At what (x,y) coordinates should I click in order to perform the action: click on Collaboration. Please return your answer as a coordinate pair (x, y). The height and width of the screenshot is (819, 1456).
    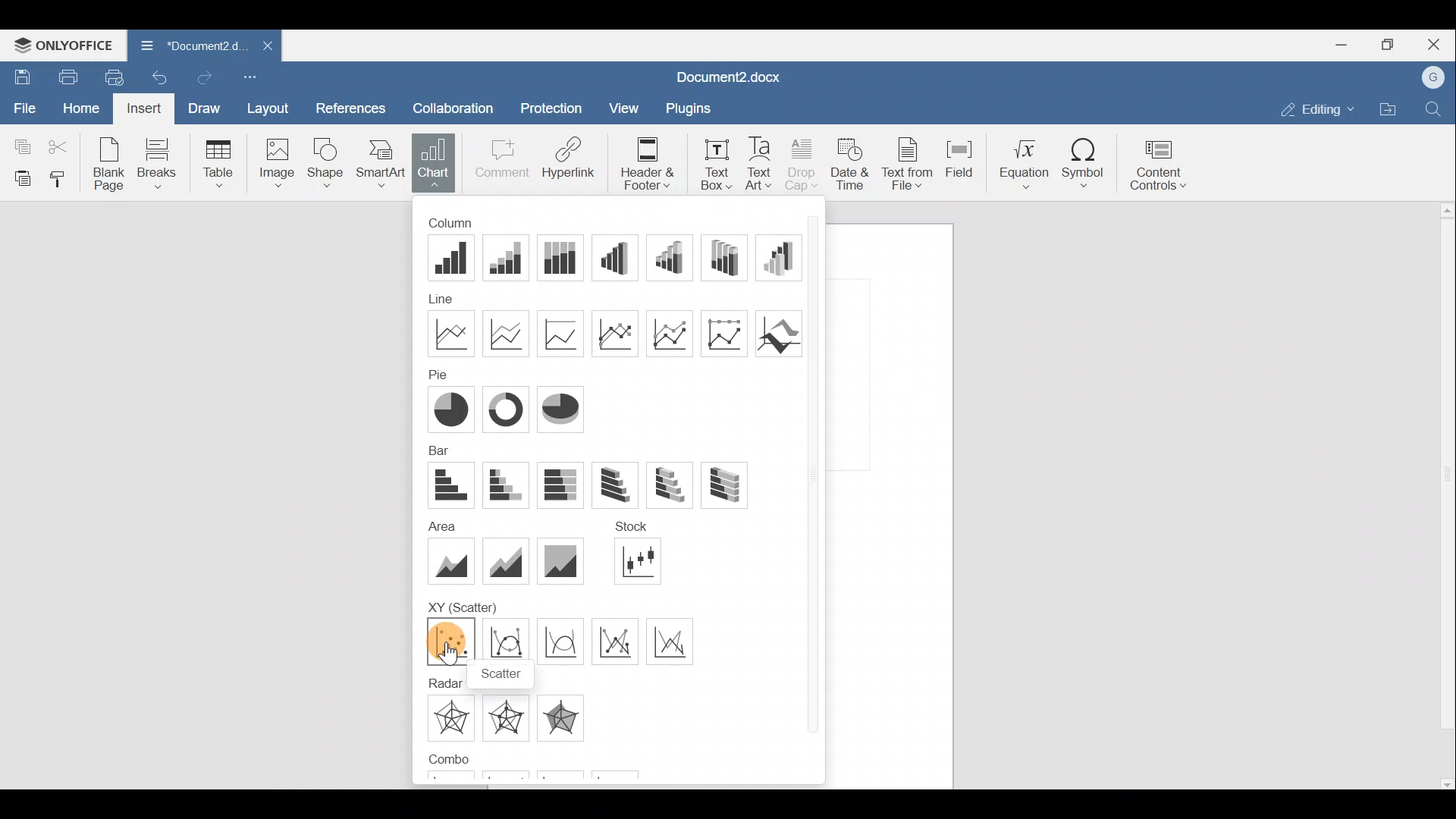
    Looking at the image, I should click on (459, 104).